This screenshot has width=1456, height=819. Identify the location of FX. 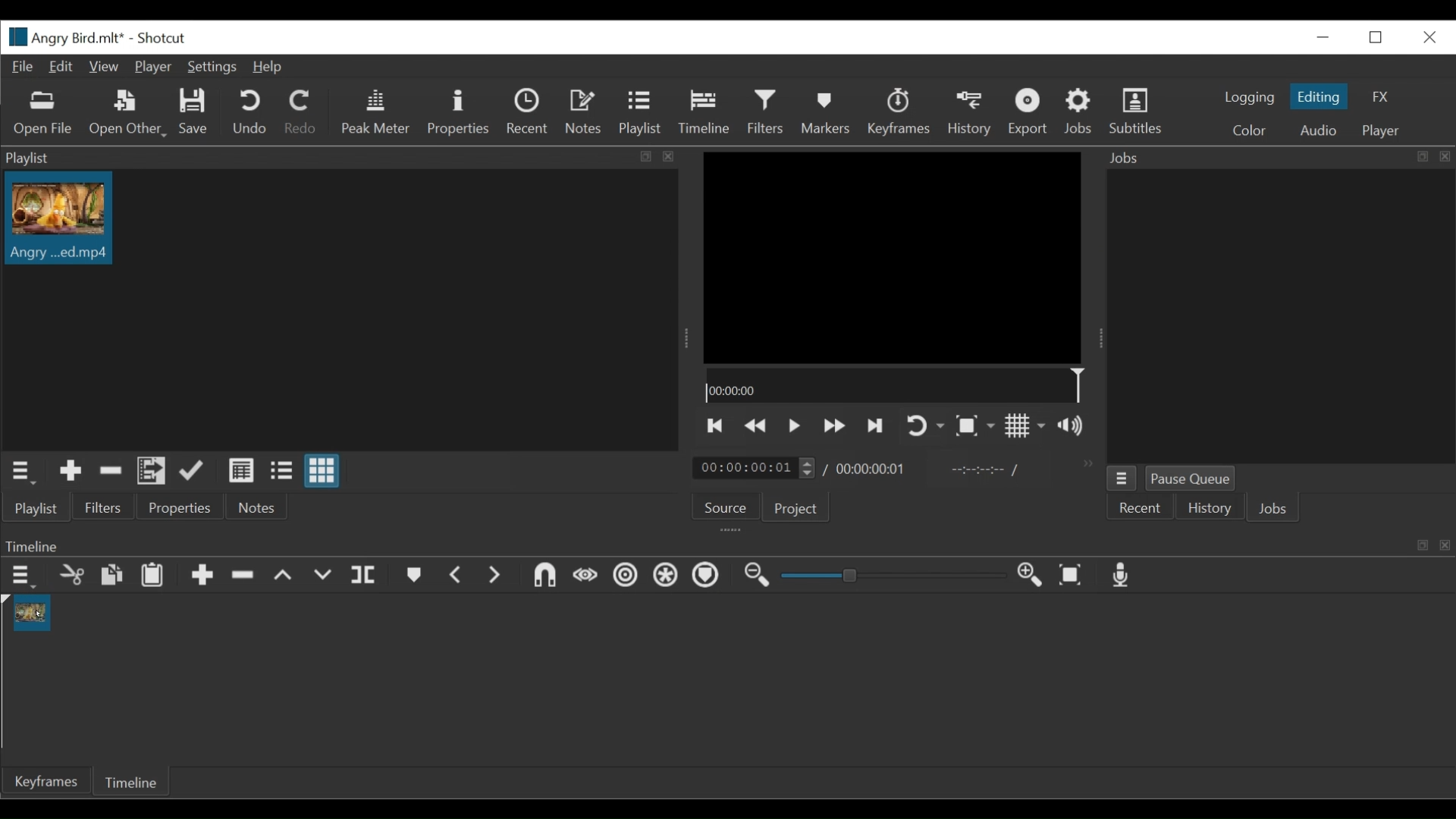
(1381, 97).